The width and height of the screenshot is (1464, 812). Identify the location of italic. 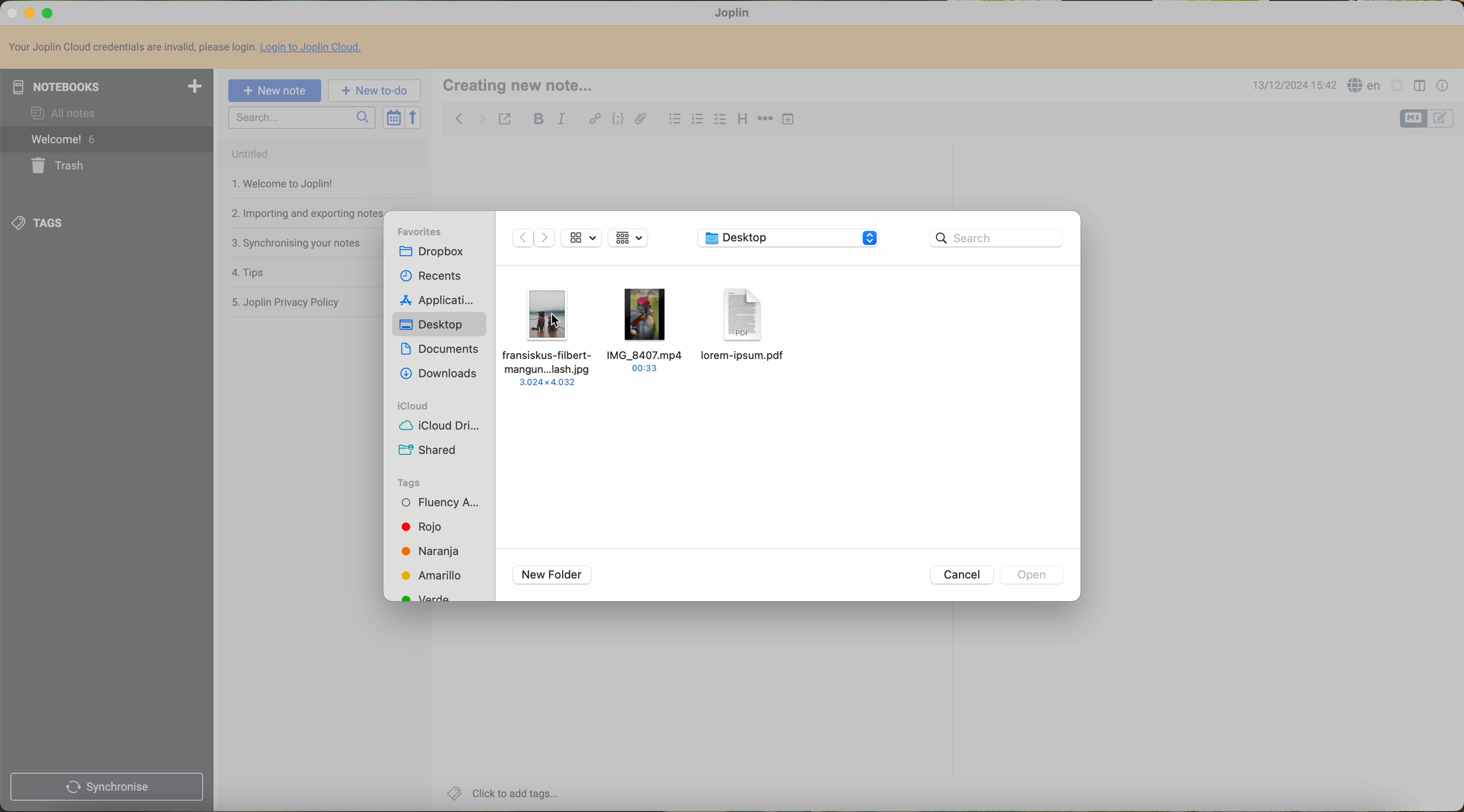
(561, 119).